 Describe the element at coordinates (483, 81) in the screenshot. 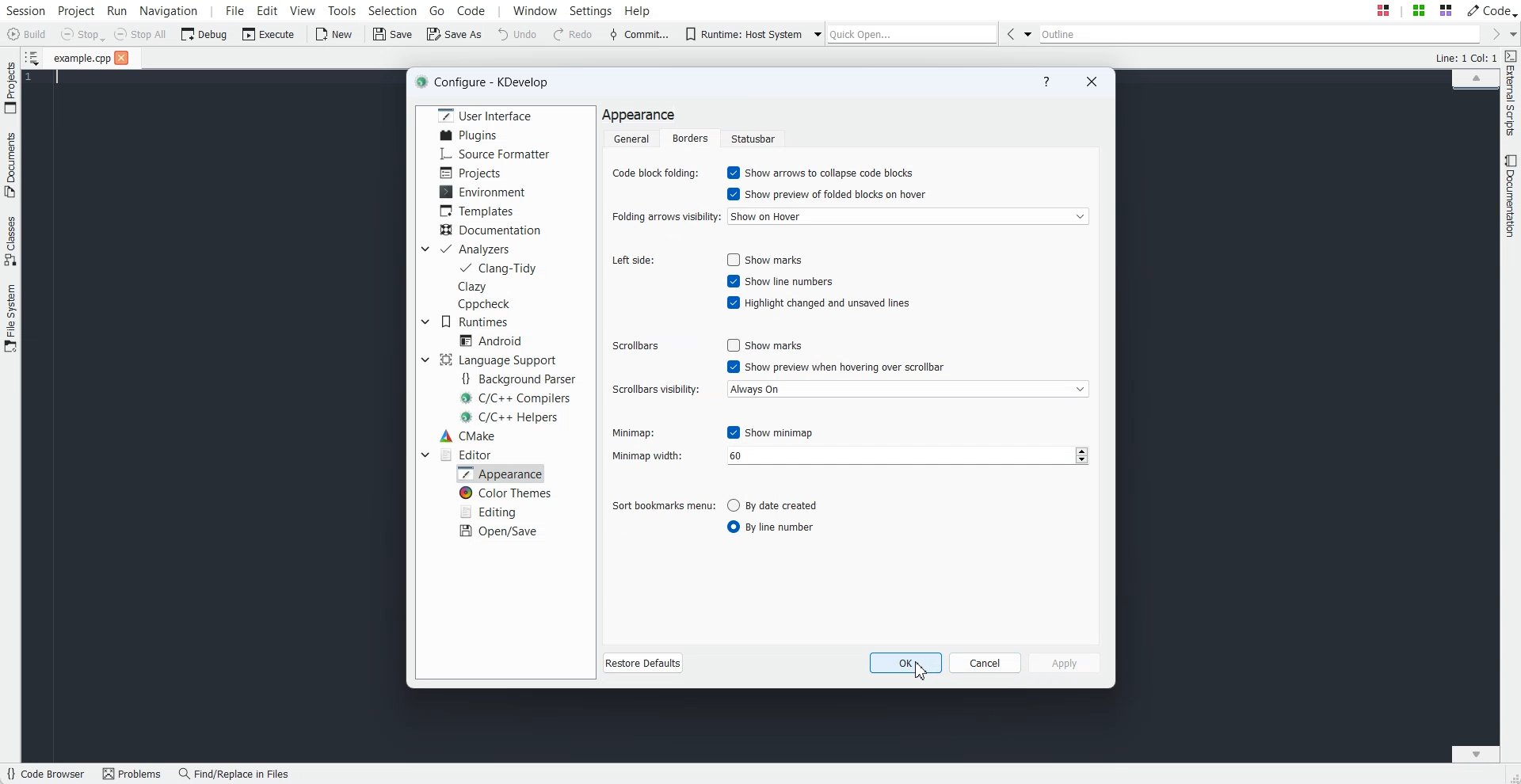

I see `Text` at that location.